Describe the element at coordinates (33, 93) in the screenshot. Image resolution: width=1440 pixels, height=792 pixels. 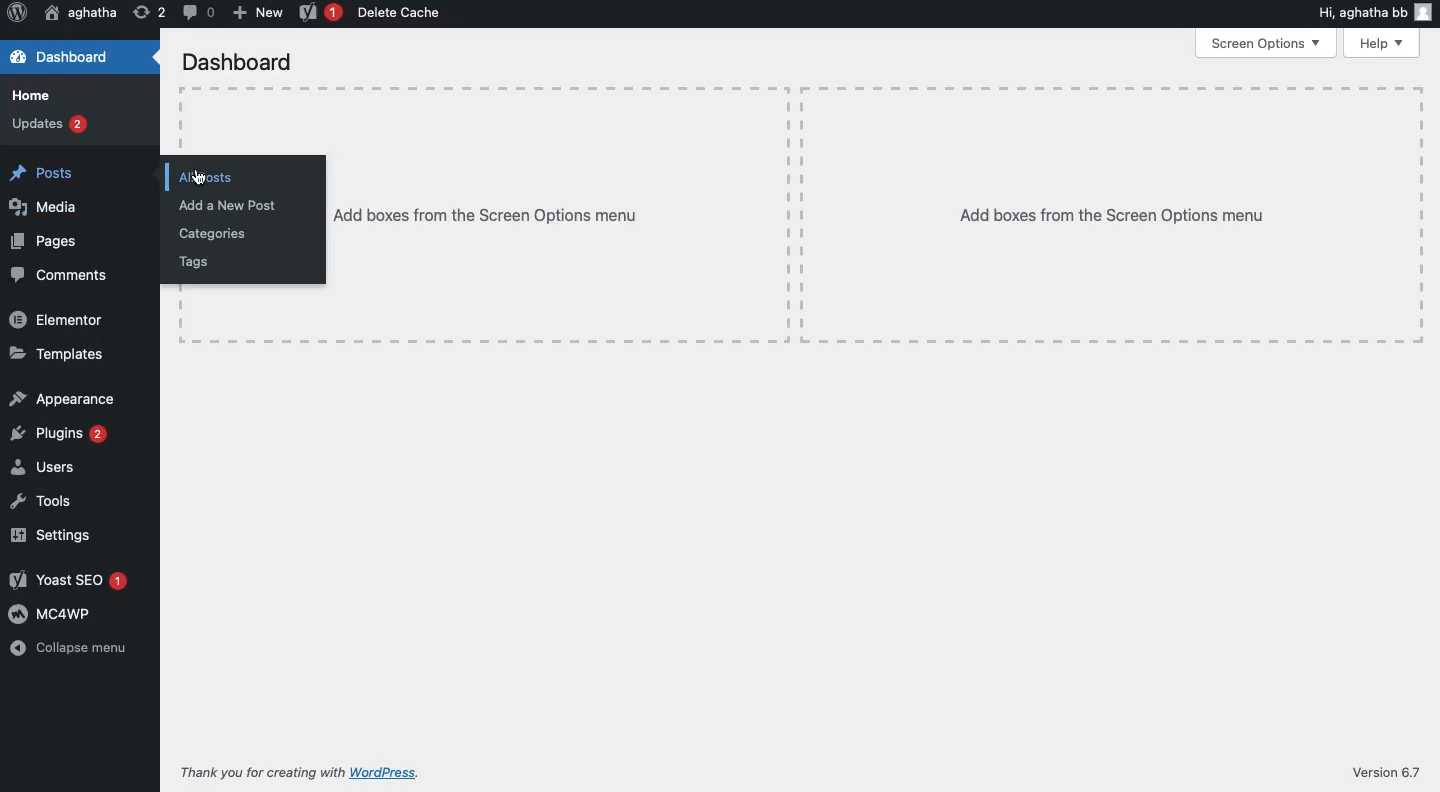
I see `Home` at that location.